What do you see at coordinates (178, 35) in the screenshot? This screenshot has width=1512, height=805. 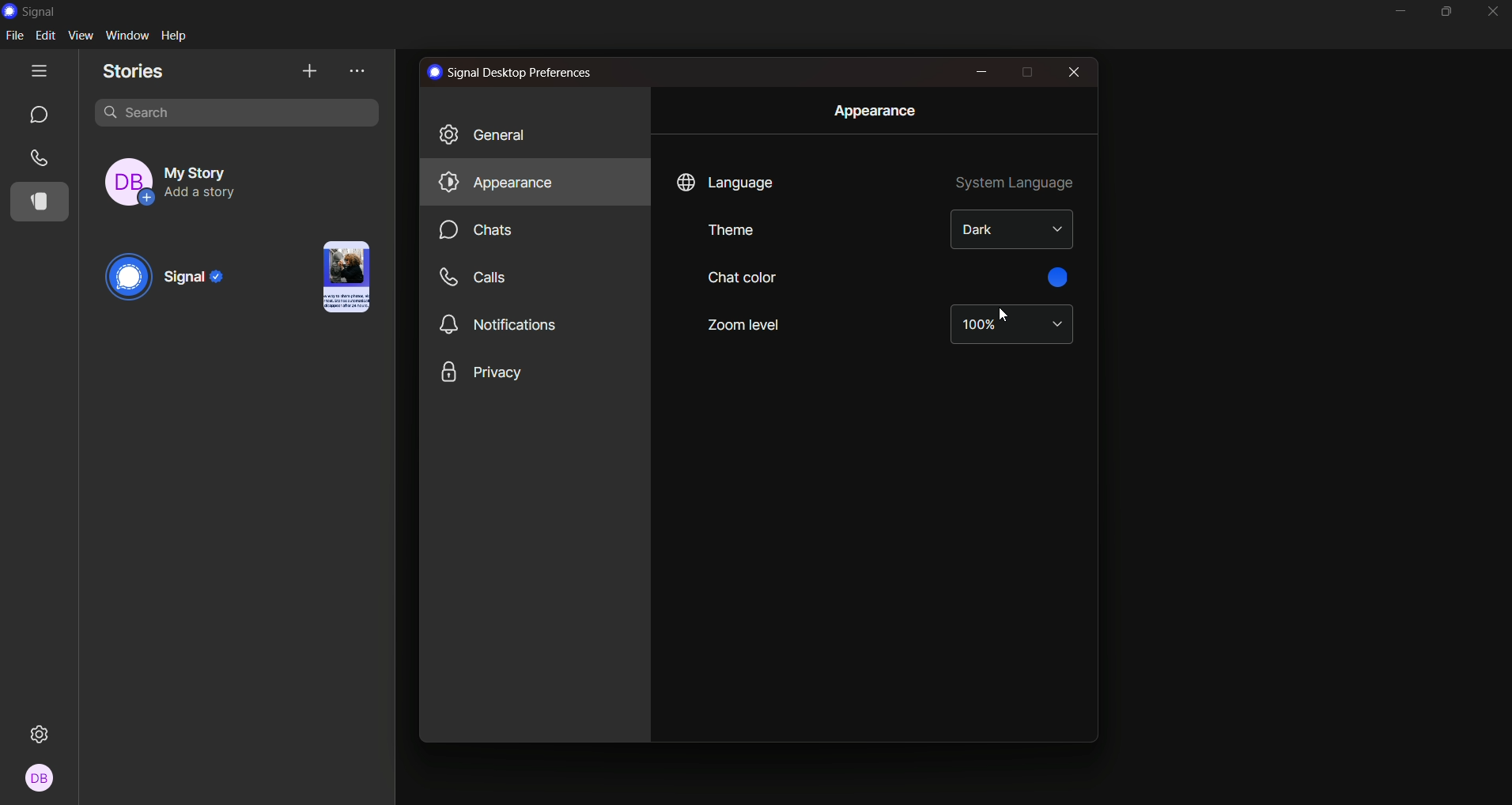 I see `help` at bounding box center [178, 35].